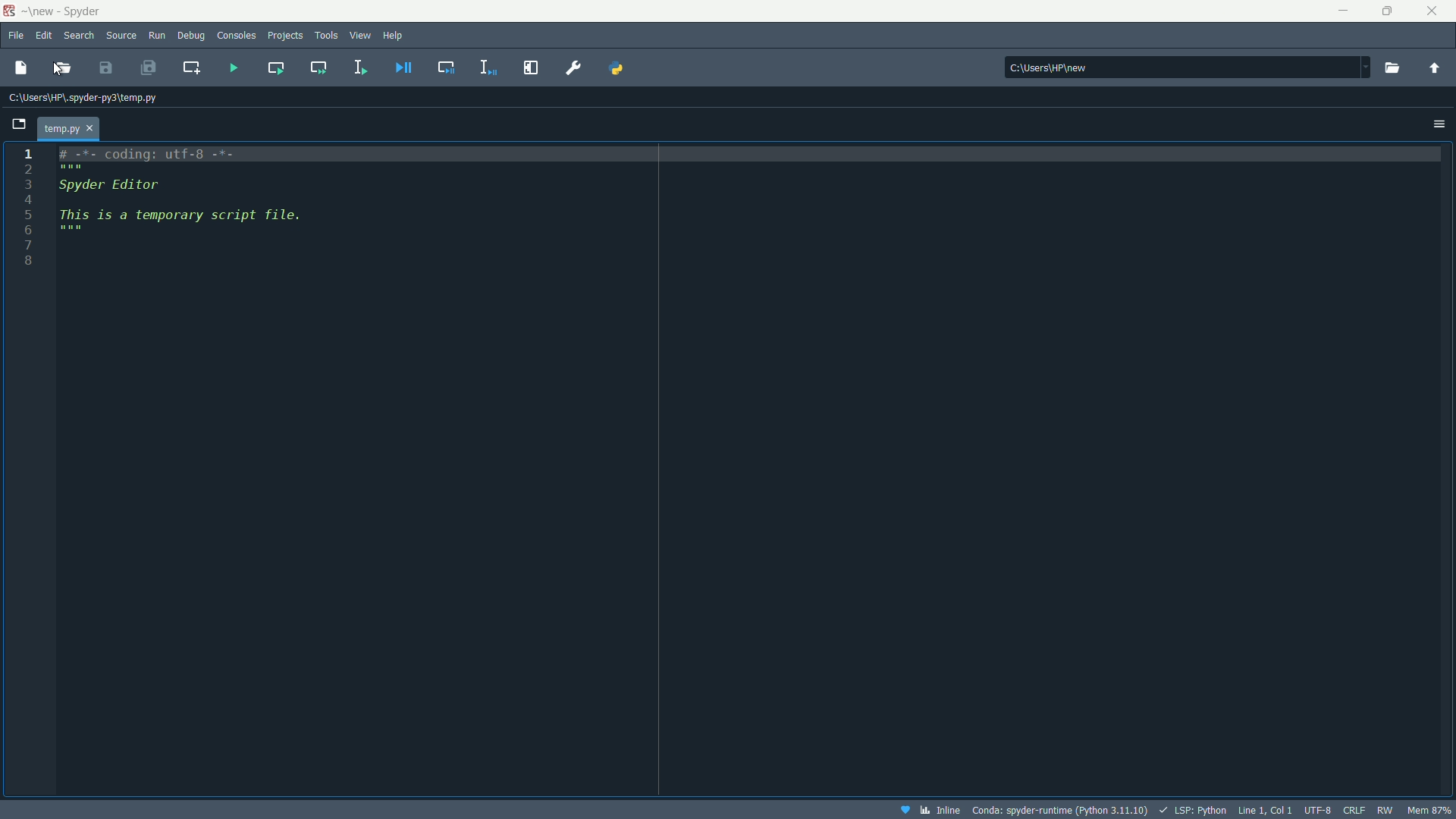 The width and height of the screenshot is (1456, 819). What do you see at coordinates (318, 69) in the screenshot?
I see `run current cell and go to the next one` at bounding box center [318, 69].